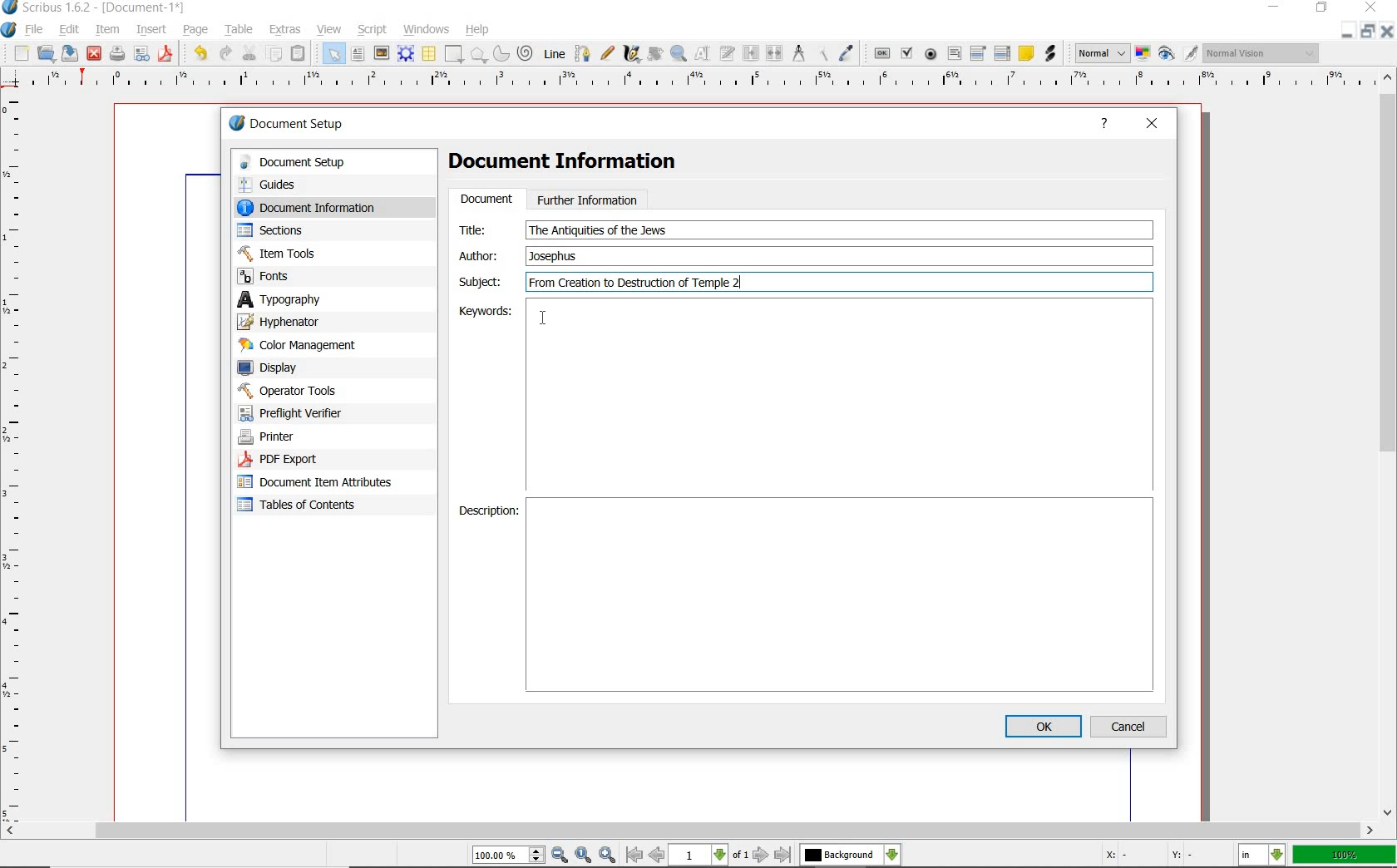 The width and height of the screenshot is (1397, 868). What do you see at coordinates (321, 484) in the screenshot?
I see `document item attributes` at bounding box center [321, 484].